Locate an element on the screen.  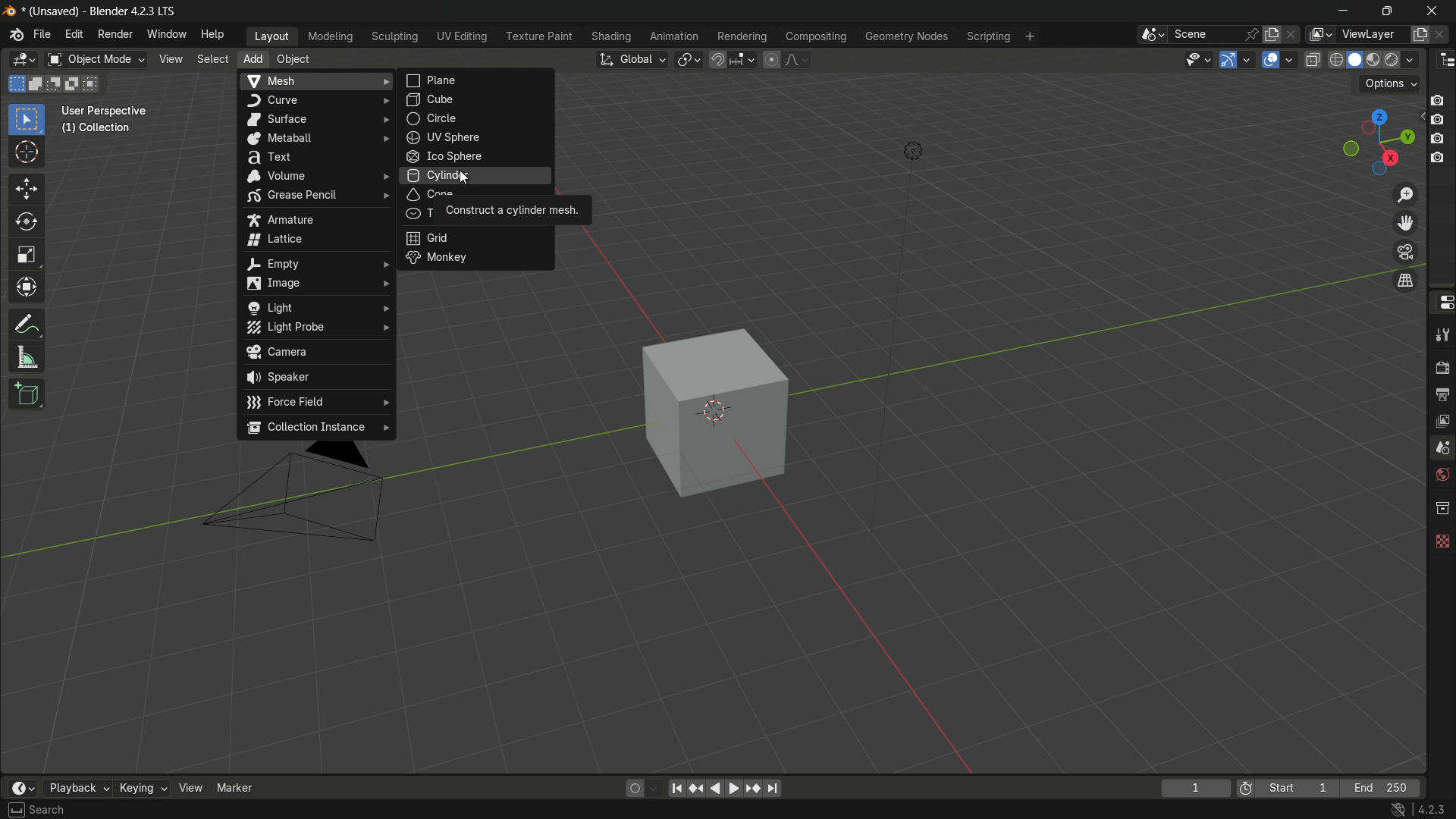
window menu is located at coordinates (168, 35).